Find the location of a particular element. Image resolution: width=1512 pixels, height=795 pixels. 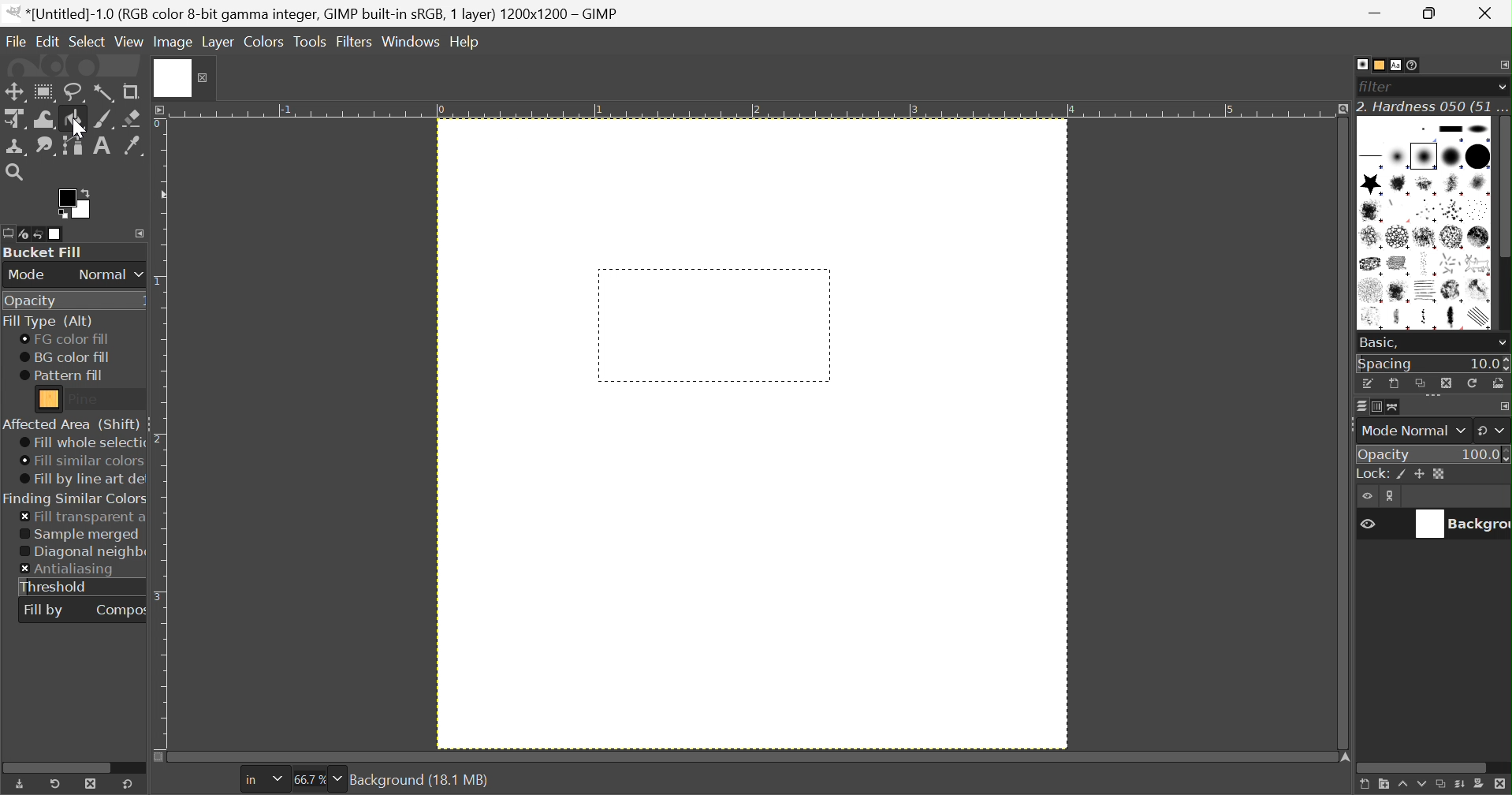

Grunge is located at coordinates (1399, 292).